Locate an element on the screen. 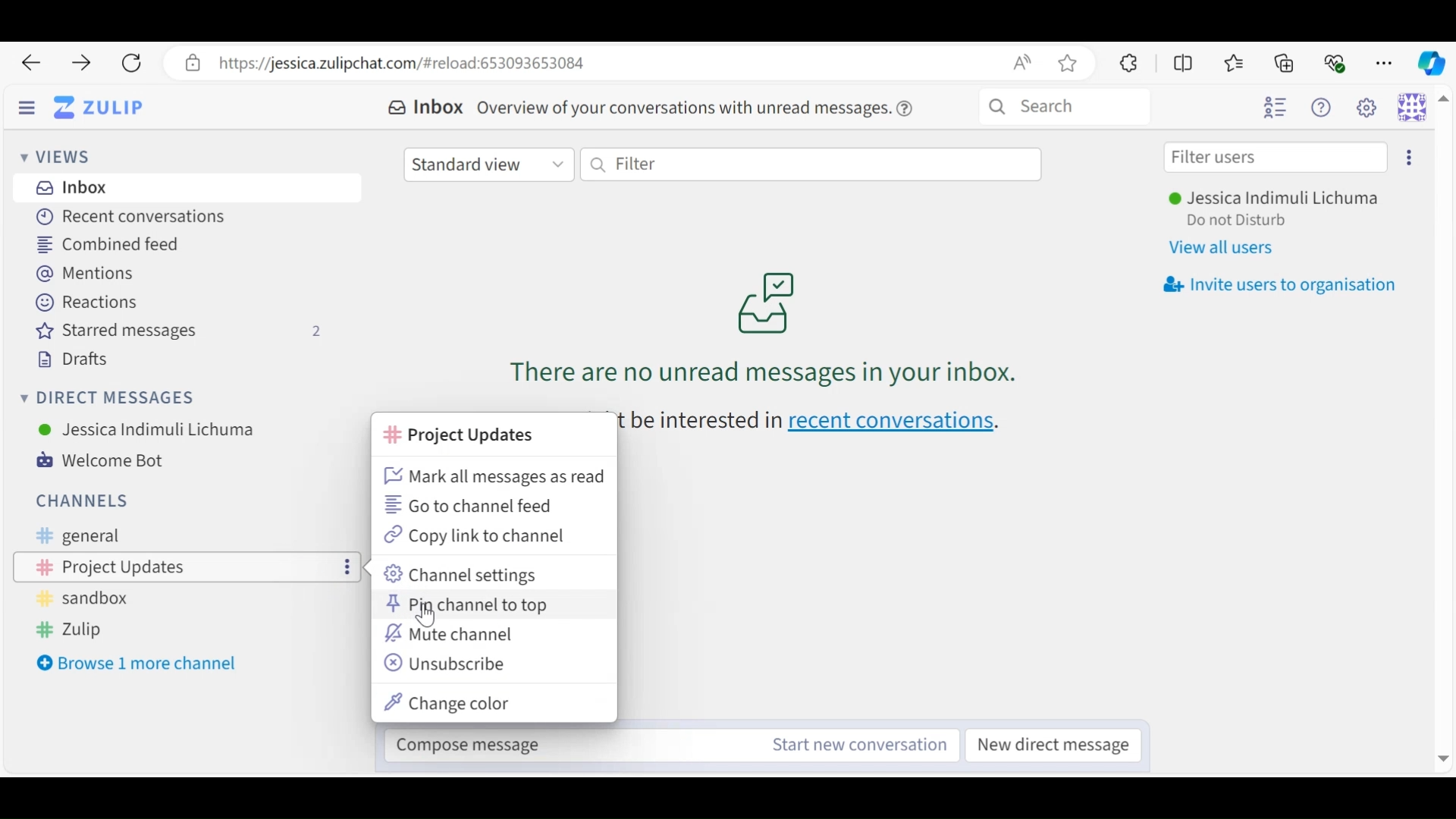 Image resolution: width=1456 pixels, height=819 pixels. Favorites is located at coordinates (1235, 63).